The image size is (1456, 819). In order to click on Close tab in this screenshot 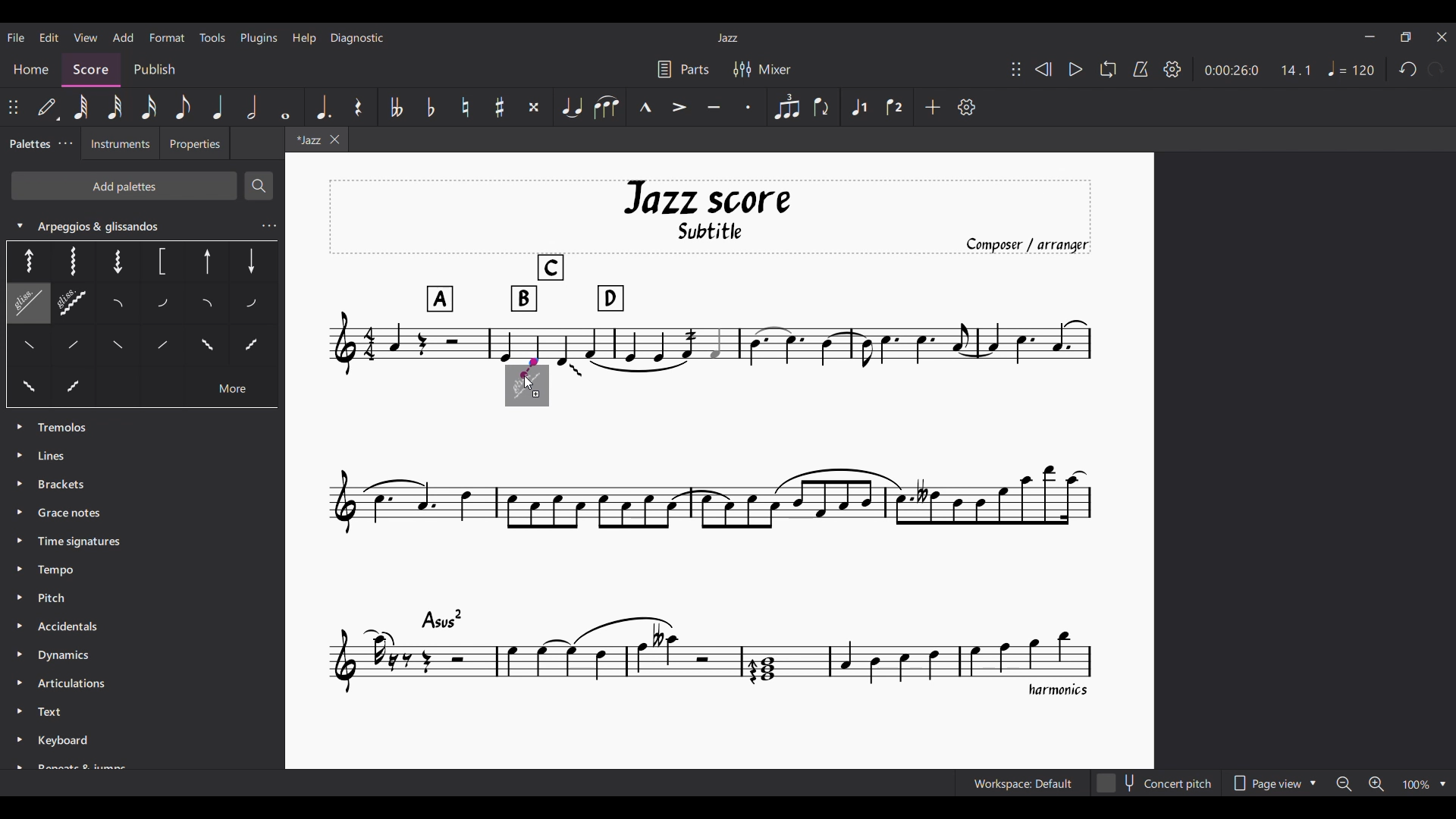, I will do `click(334, 140)`.